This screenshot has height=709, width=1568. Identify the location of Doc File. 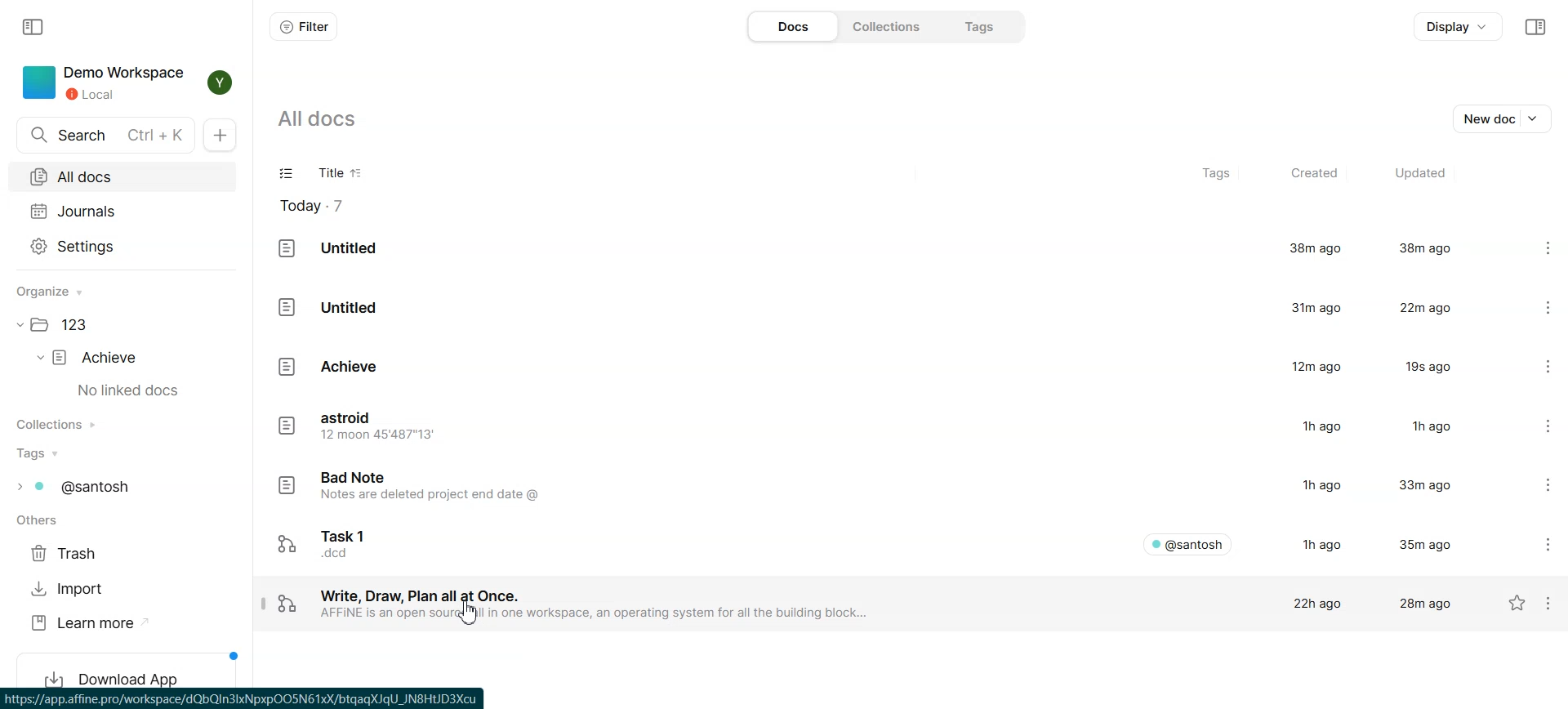
(878, 542).